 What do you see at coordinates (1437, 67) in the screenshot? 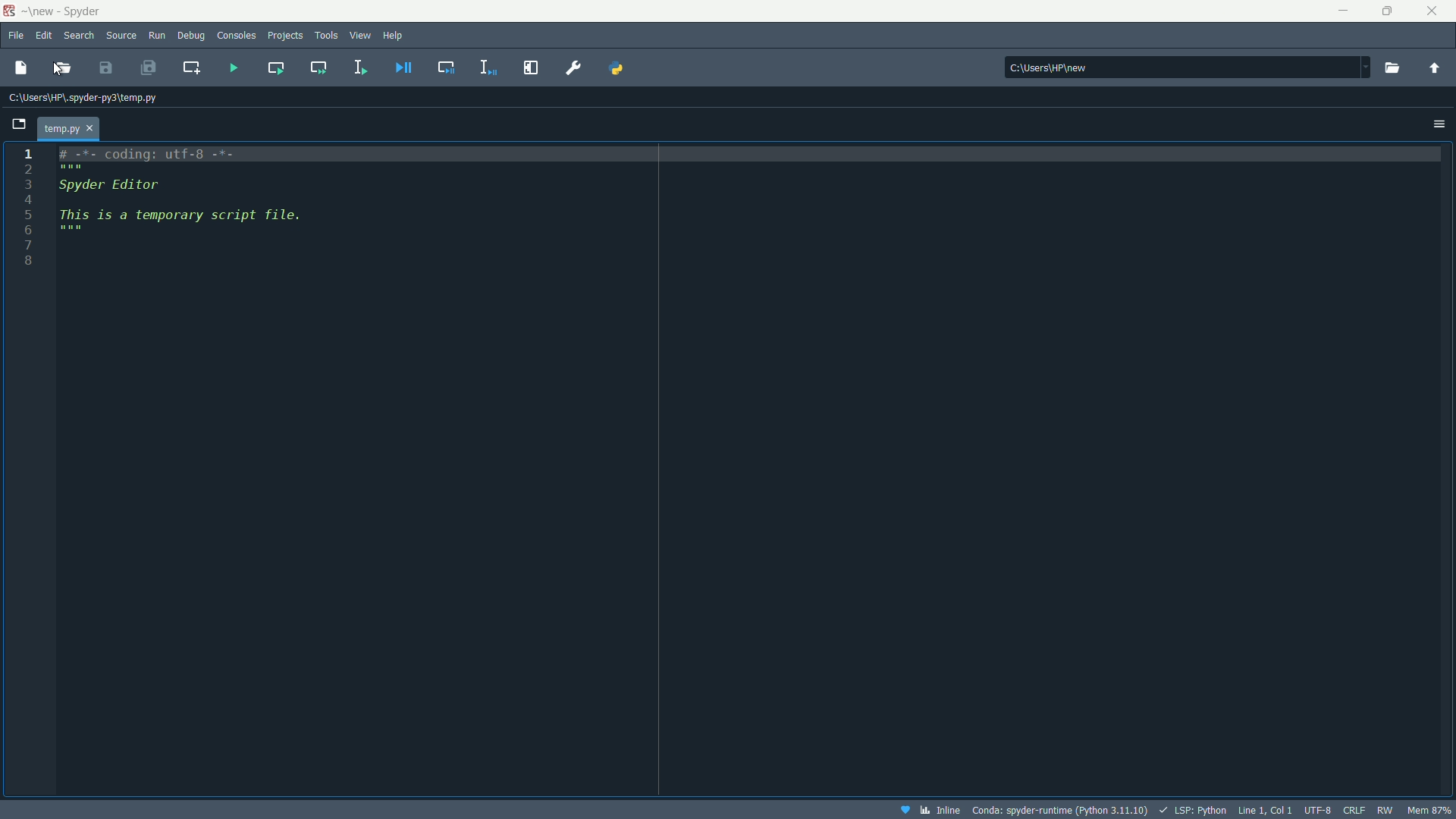
I see `change to parent directory` at bounding box center [1437, 67].